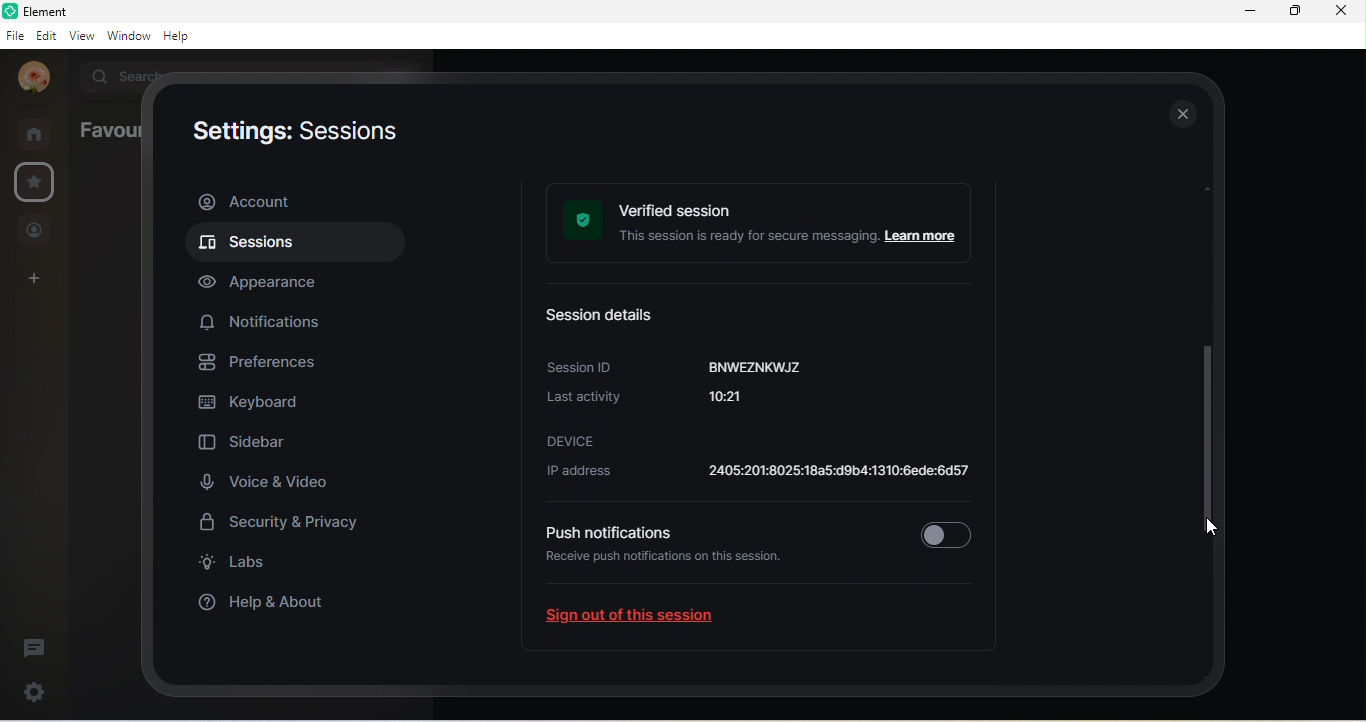 This screenshot has width=1366, height=722. What do you see at coordinates (946, 531) in the screenshot?
I see `disable notification` at bounding box center [946, 531].